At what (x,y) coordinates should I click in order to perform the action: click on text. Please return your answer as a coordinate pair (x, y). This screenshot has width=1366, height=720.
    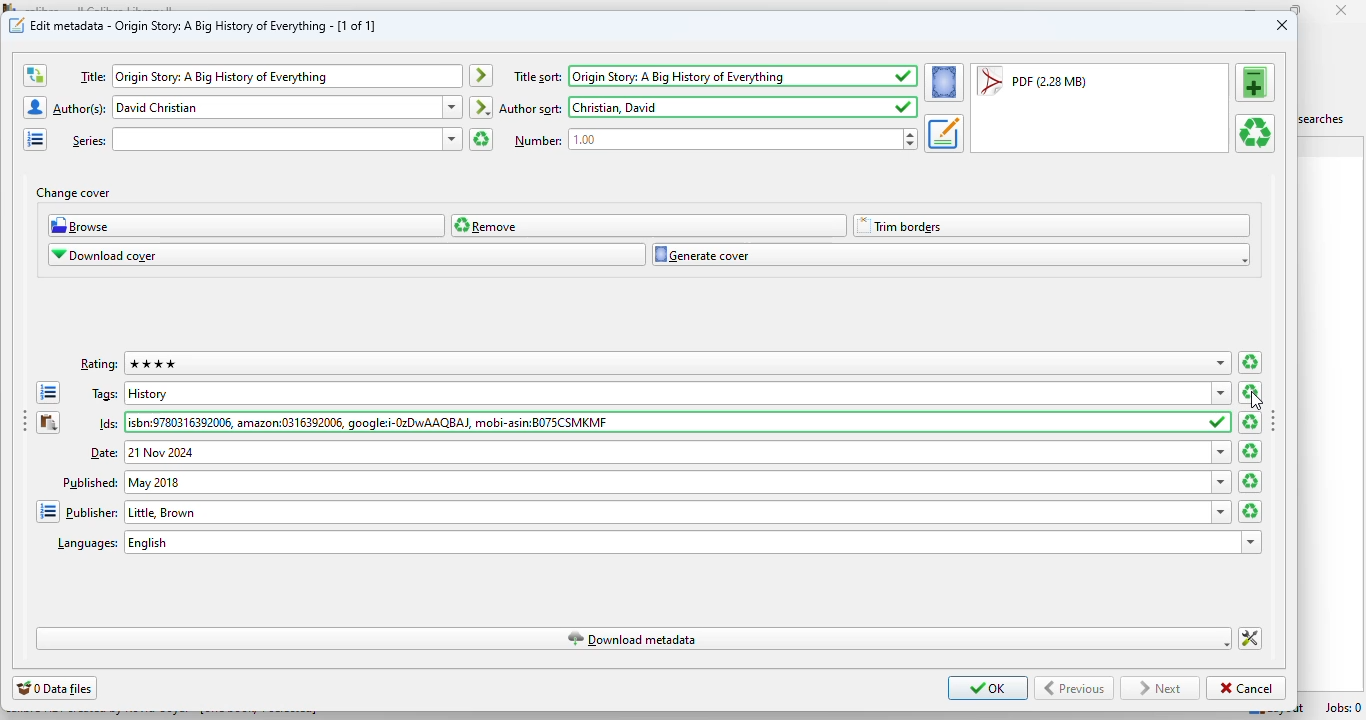
    Looking at the image, I should click on (539, 141).